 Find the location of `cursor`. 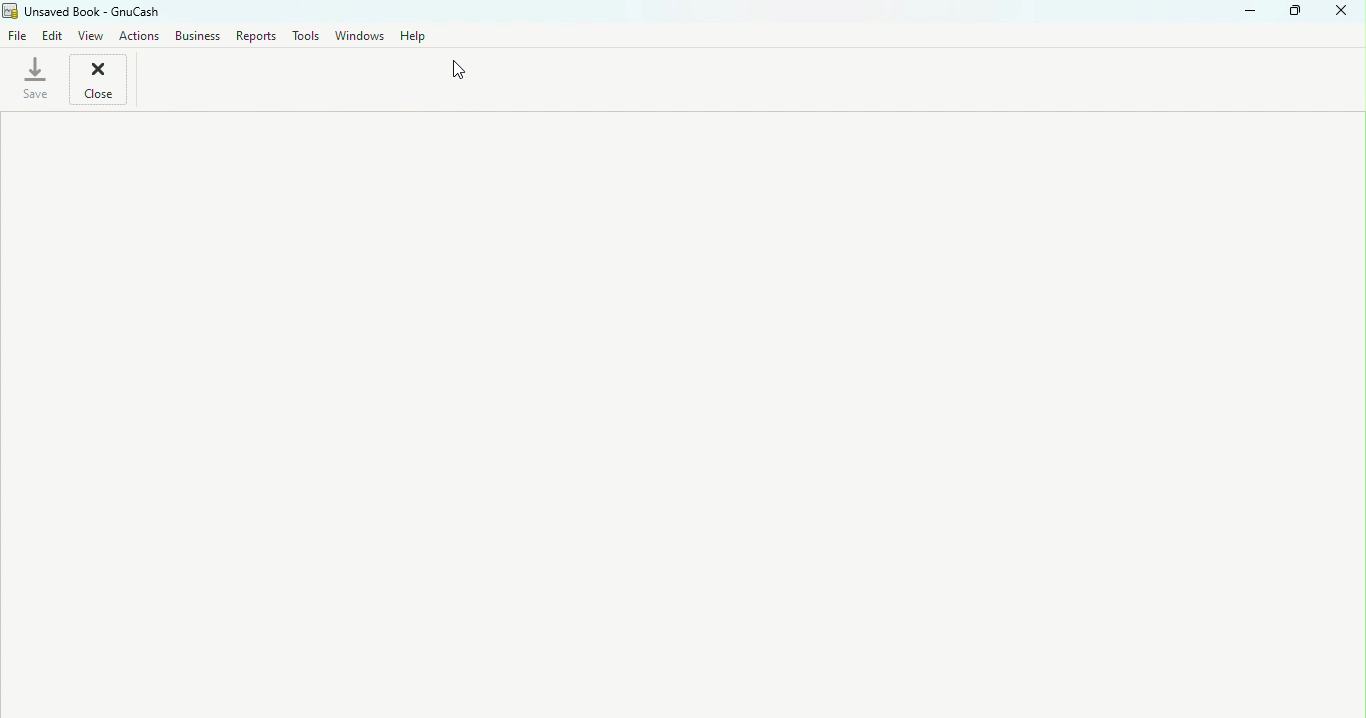

cursor is located at coordinates (459, 70).